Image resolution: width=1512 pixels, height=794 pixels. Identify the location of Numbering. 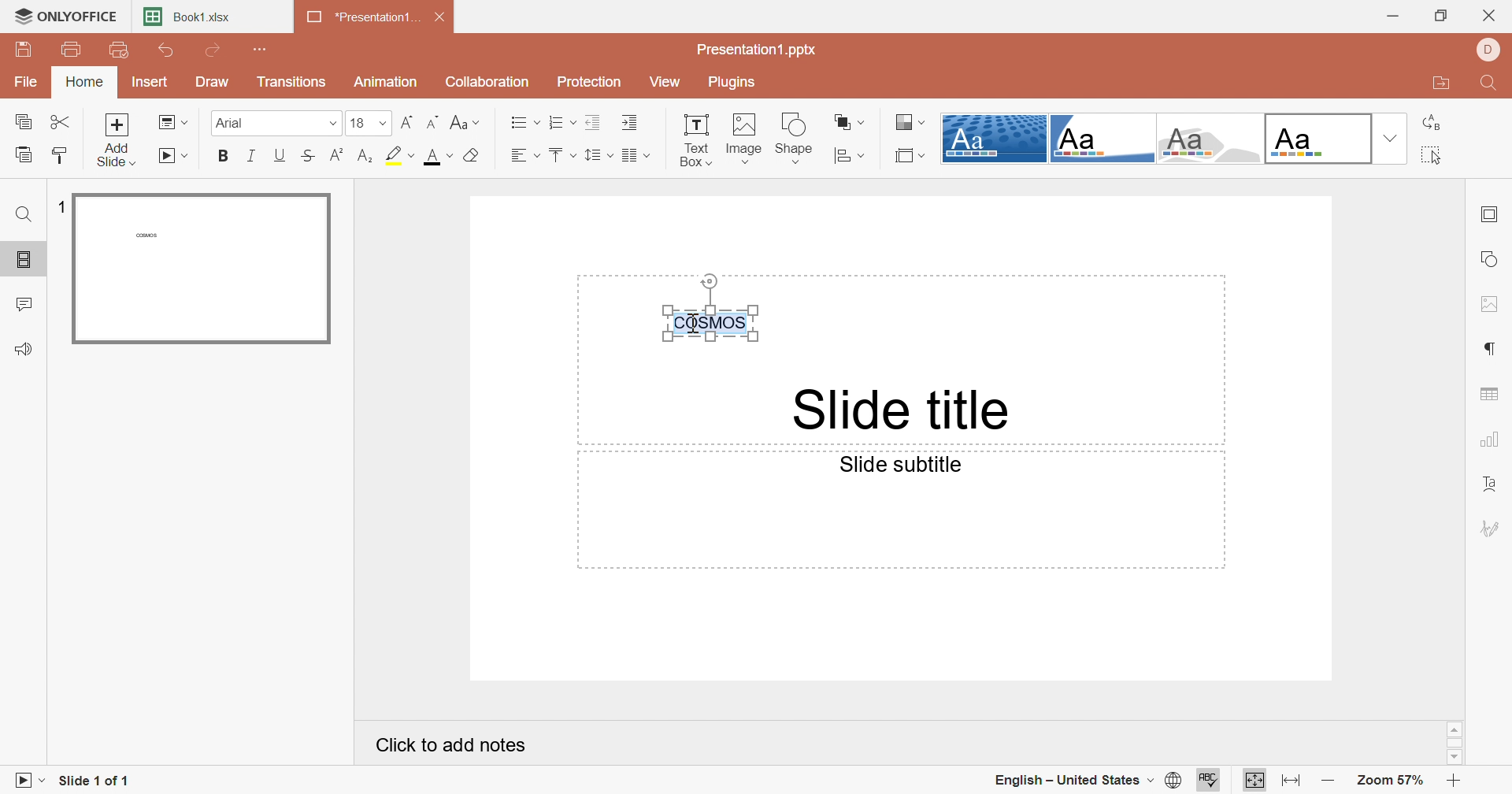
(561, 123).